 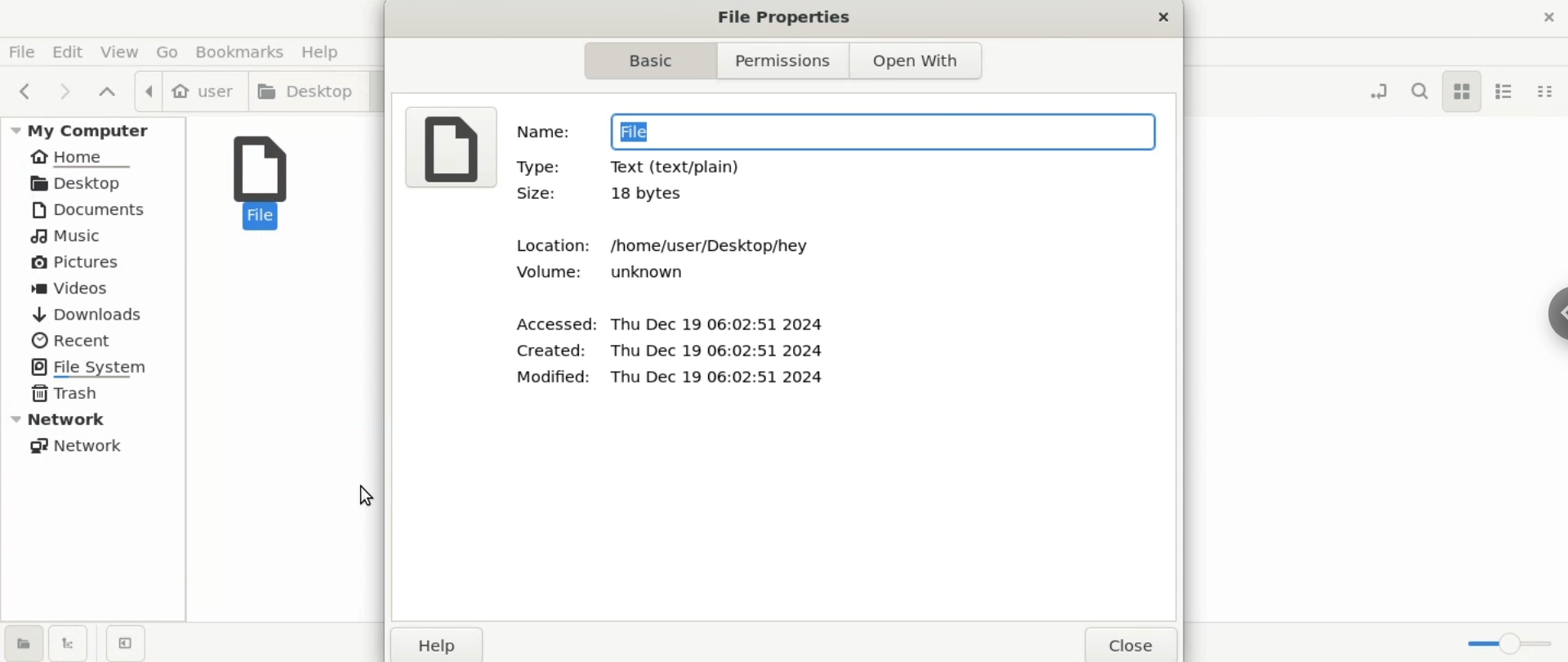 I want to click on file system, so click(x=93, y=368).